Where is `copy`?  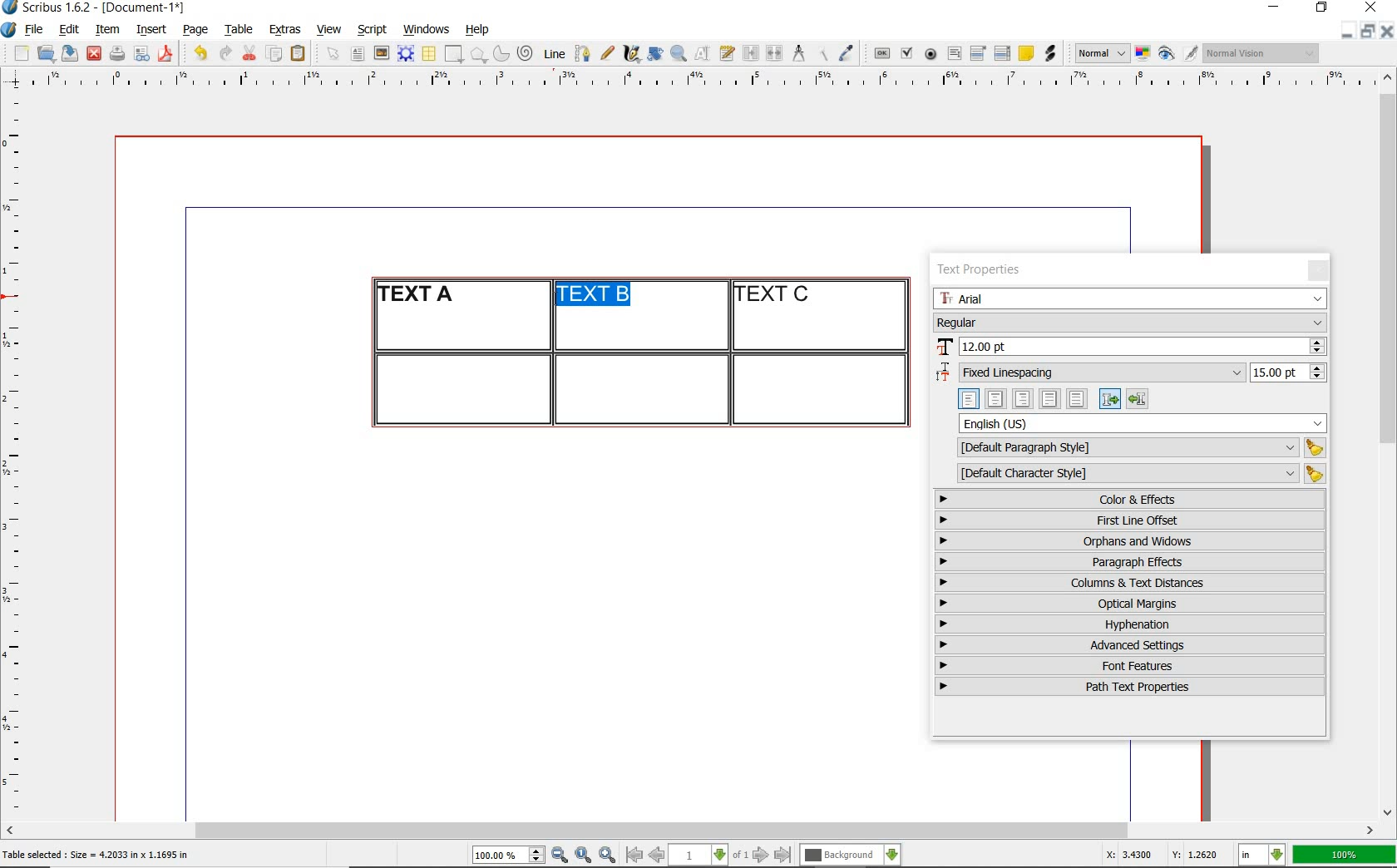
copy is located at coordinates (275, 55).